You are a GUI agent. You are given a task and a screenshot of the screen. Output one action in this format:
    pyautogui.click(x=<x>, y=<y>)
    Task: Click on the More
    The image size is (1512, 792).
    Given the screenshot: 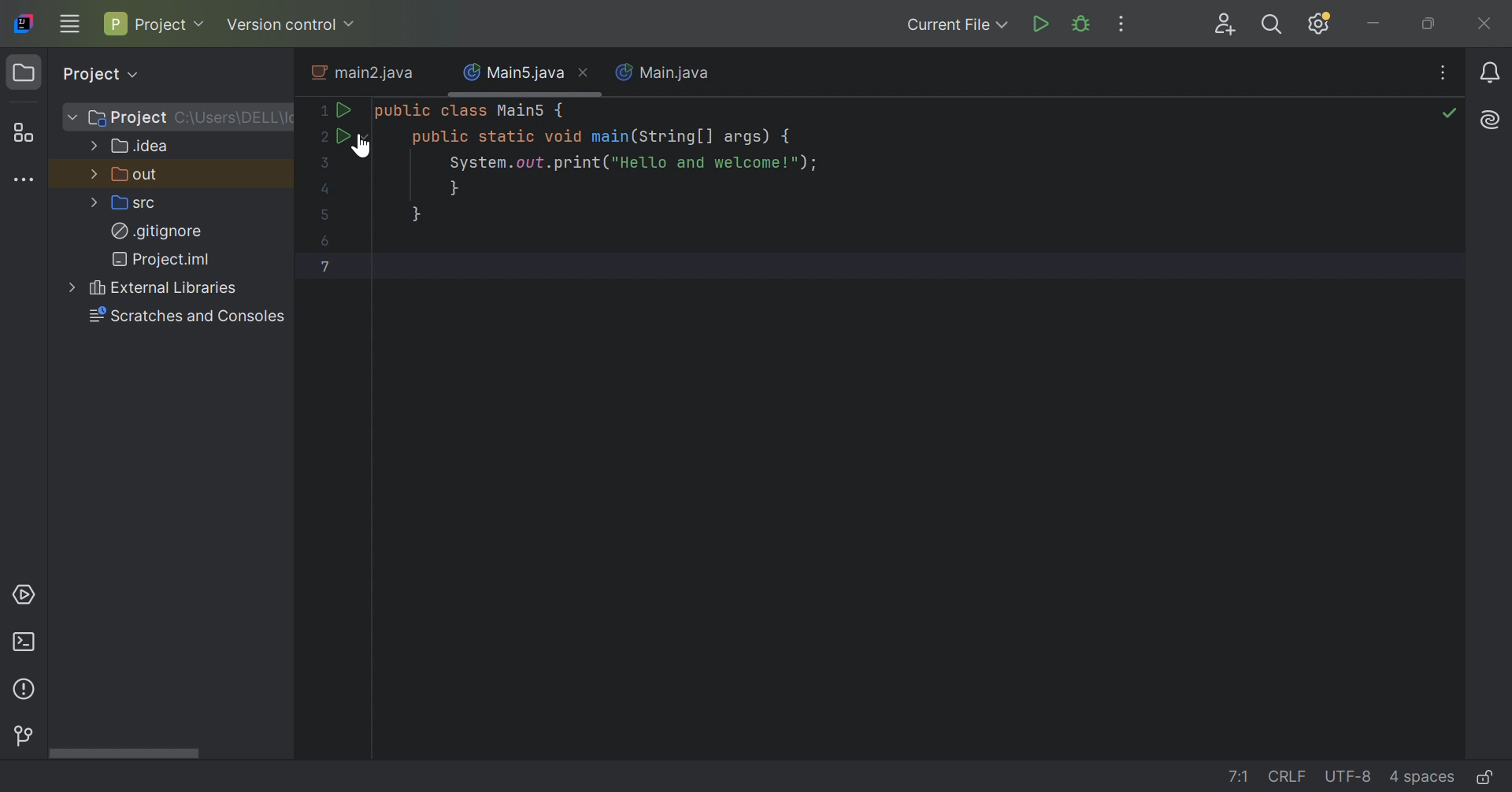 What is the action you would take?
    pyautogui.click(x=69, y=287)
    